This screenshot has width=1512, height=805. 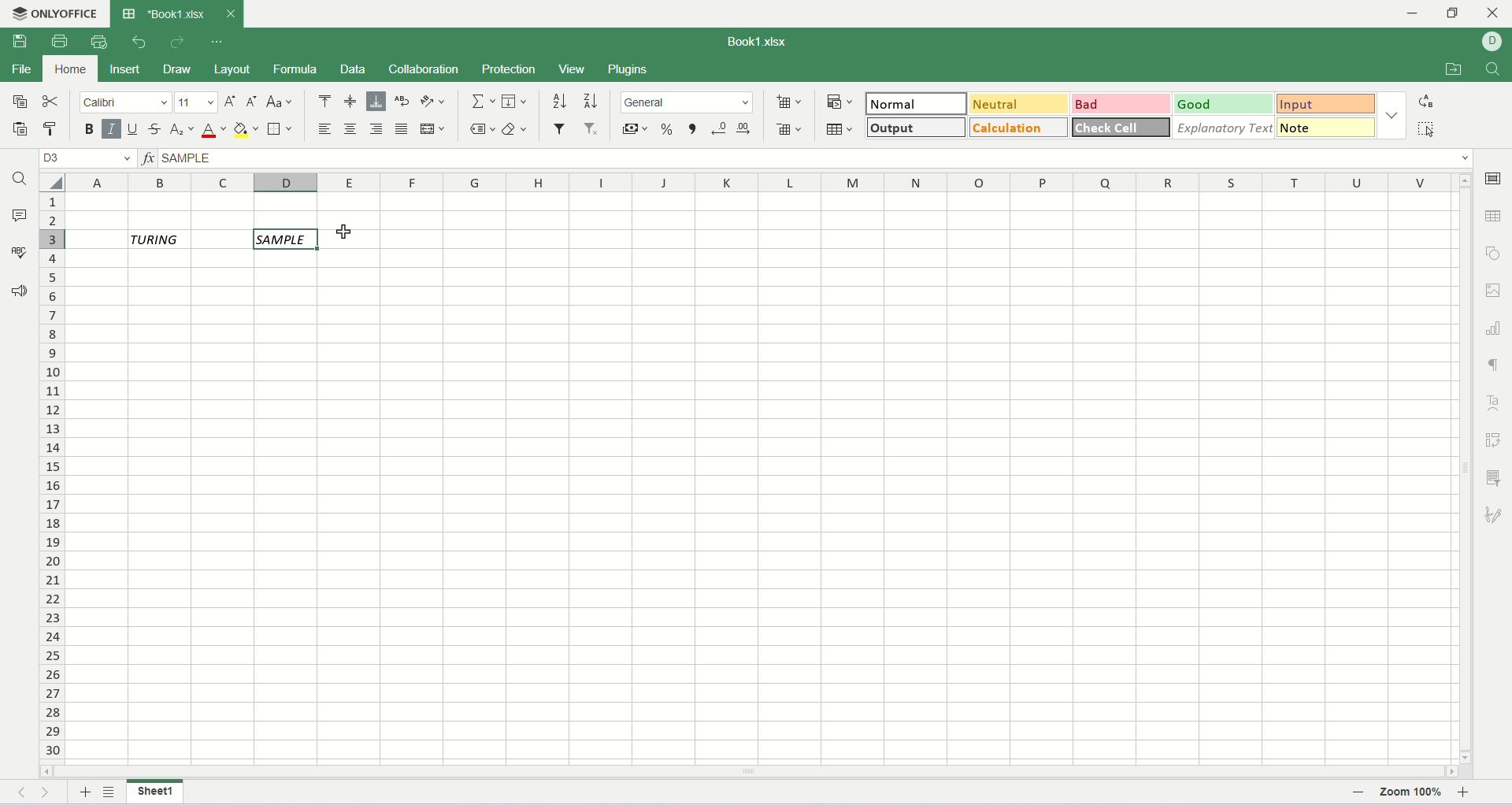 I want to click on document name , so click(x=754, y=43).